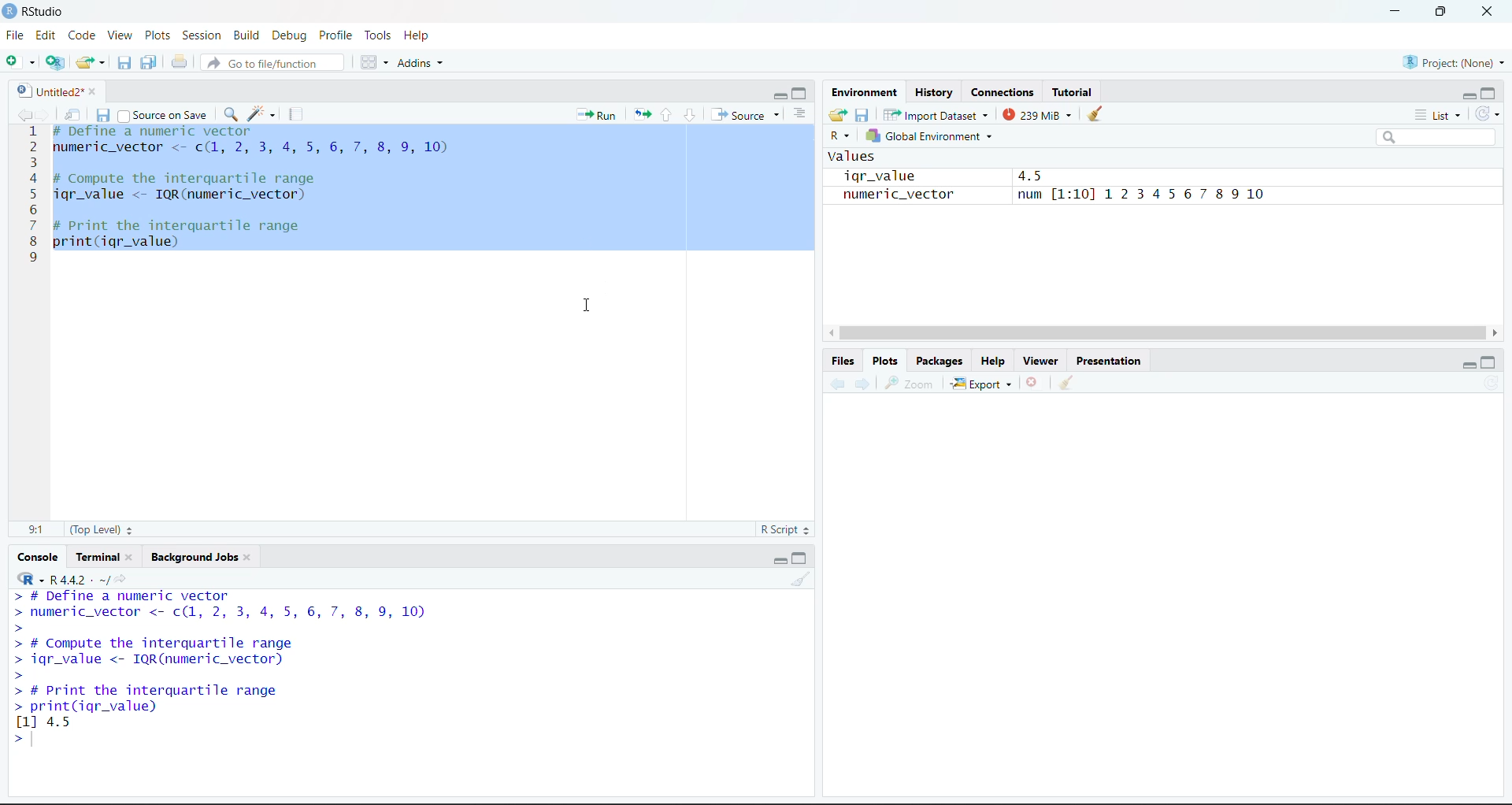  Describe the element at coordinates (1395, 12) in the screenshot. I see `Minimize` at that location.